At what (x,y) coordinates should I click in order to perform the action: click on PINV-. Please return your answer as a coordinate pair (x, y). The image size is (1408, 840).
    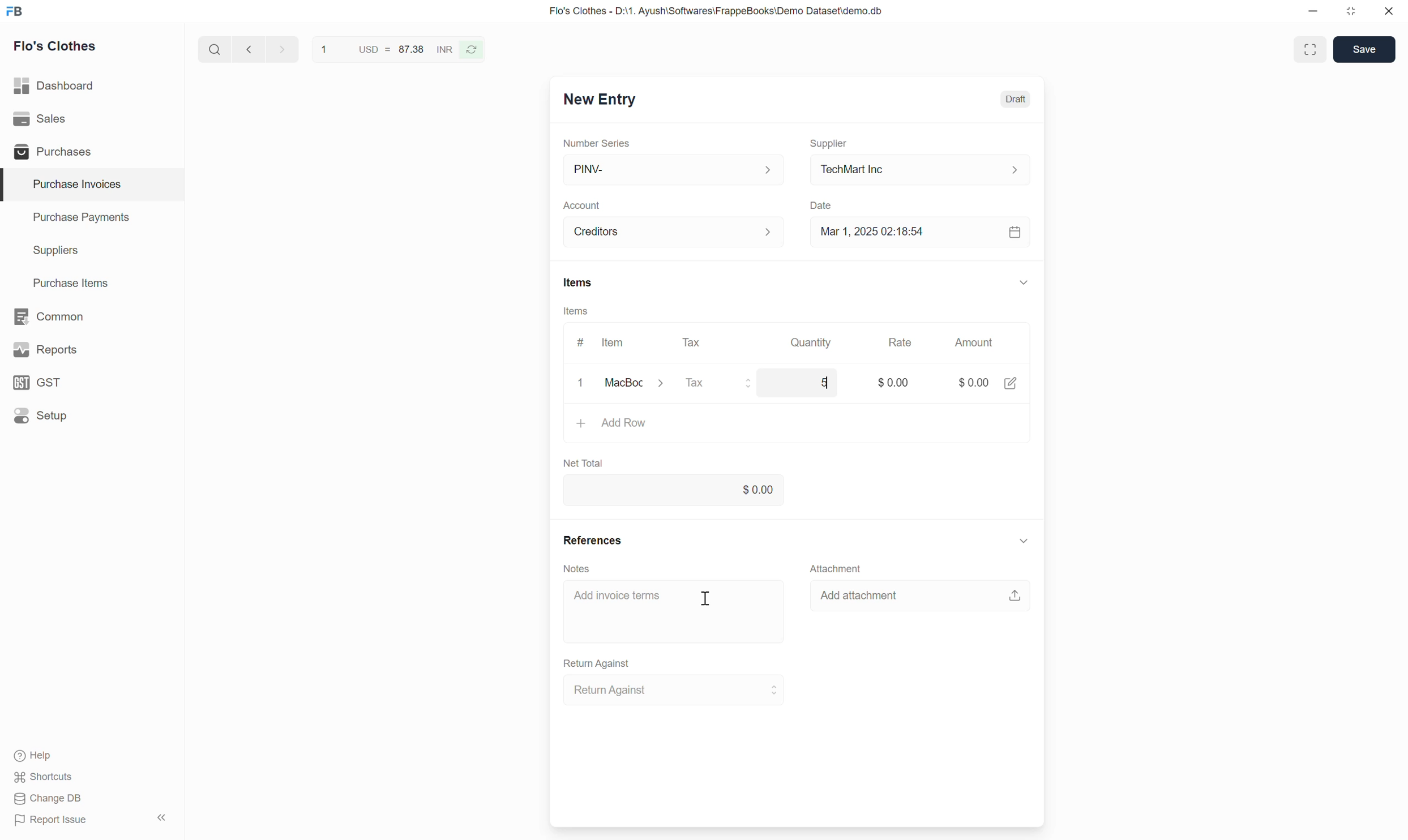
    Looking at the image, I should click on (673, 170).